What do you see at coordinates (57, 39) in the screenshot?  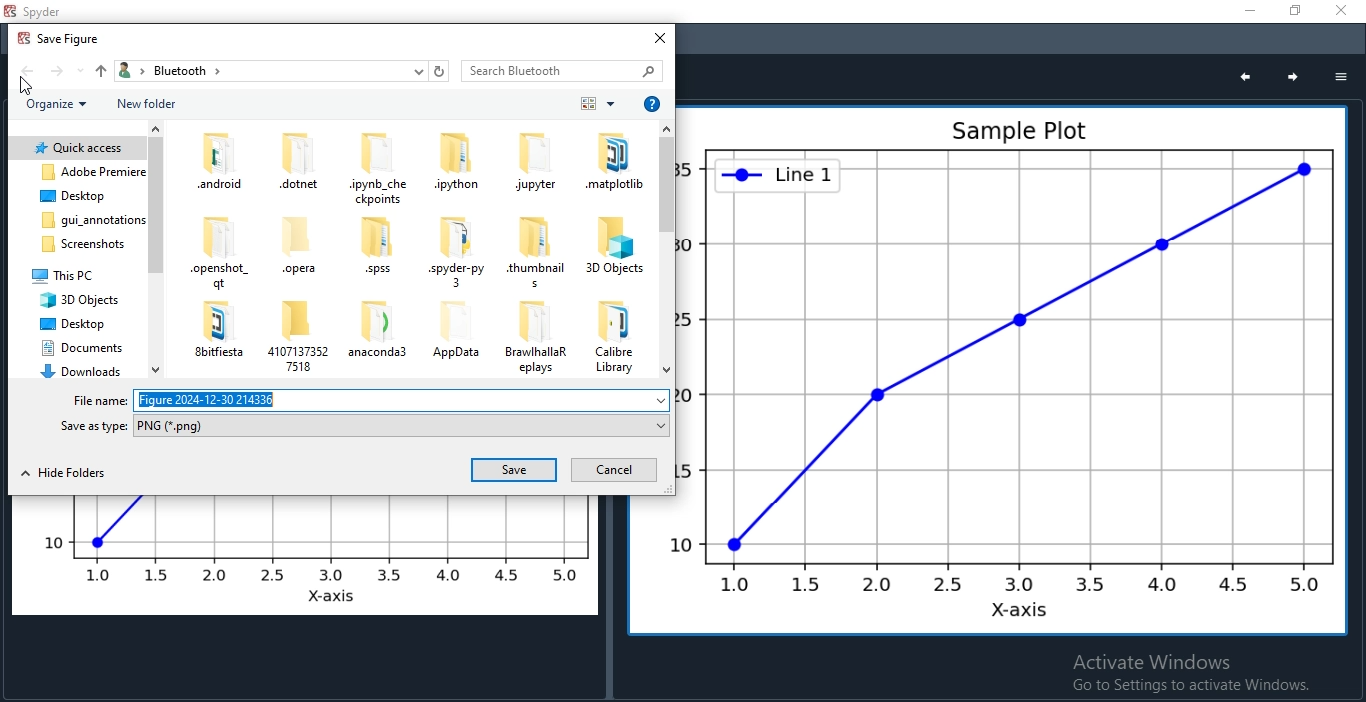 I see `popup name` at bounding box center [57, 39].